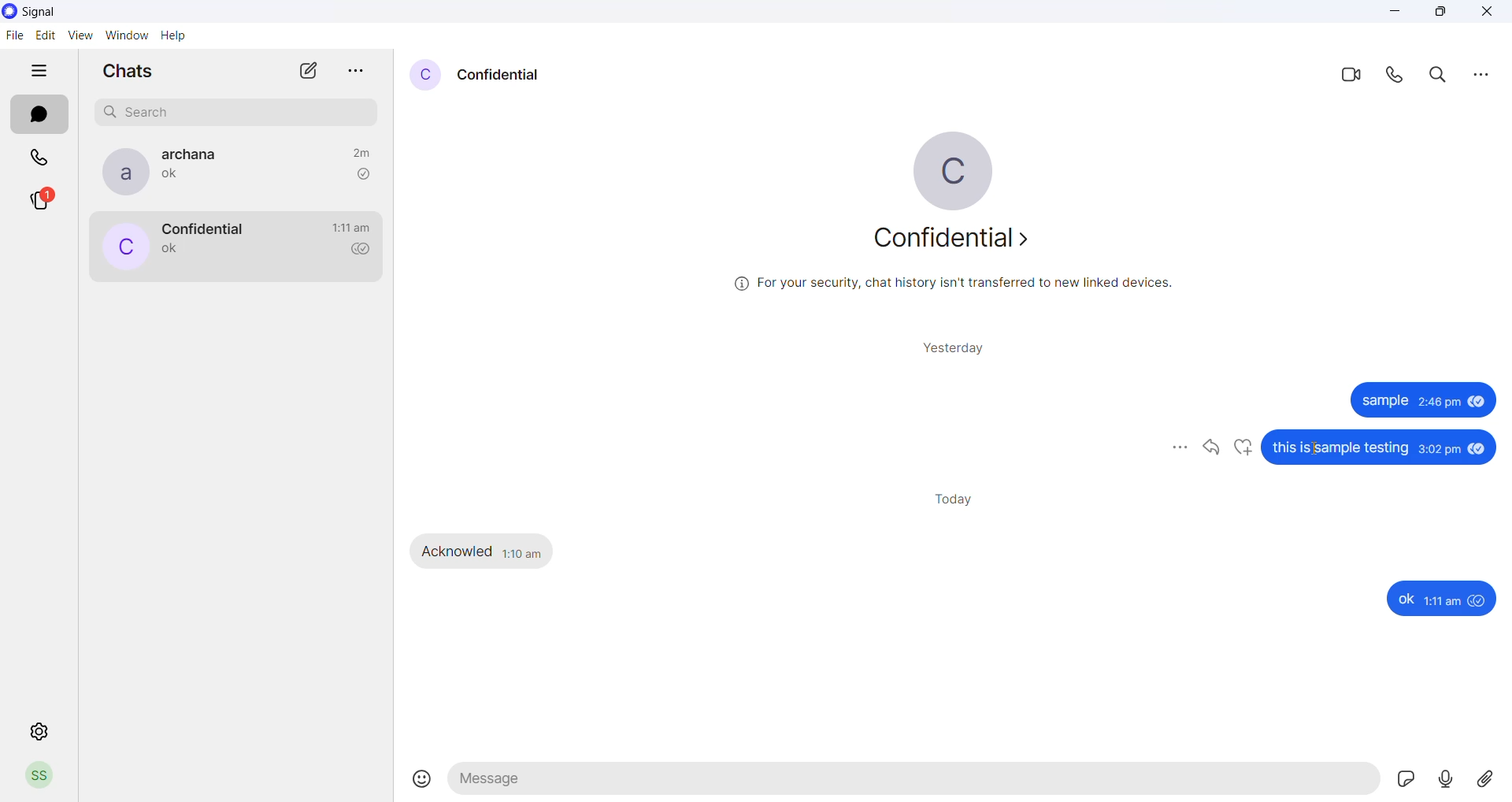 Image resolution: width=1512 pixels, height=802 pixels. What do you see at coordinates (962, 242) in the screenshot?
I see `about contact` at bounding box center [962, 242].